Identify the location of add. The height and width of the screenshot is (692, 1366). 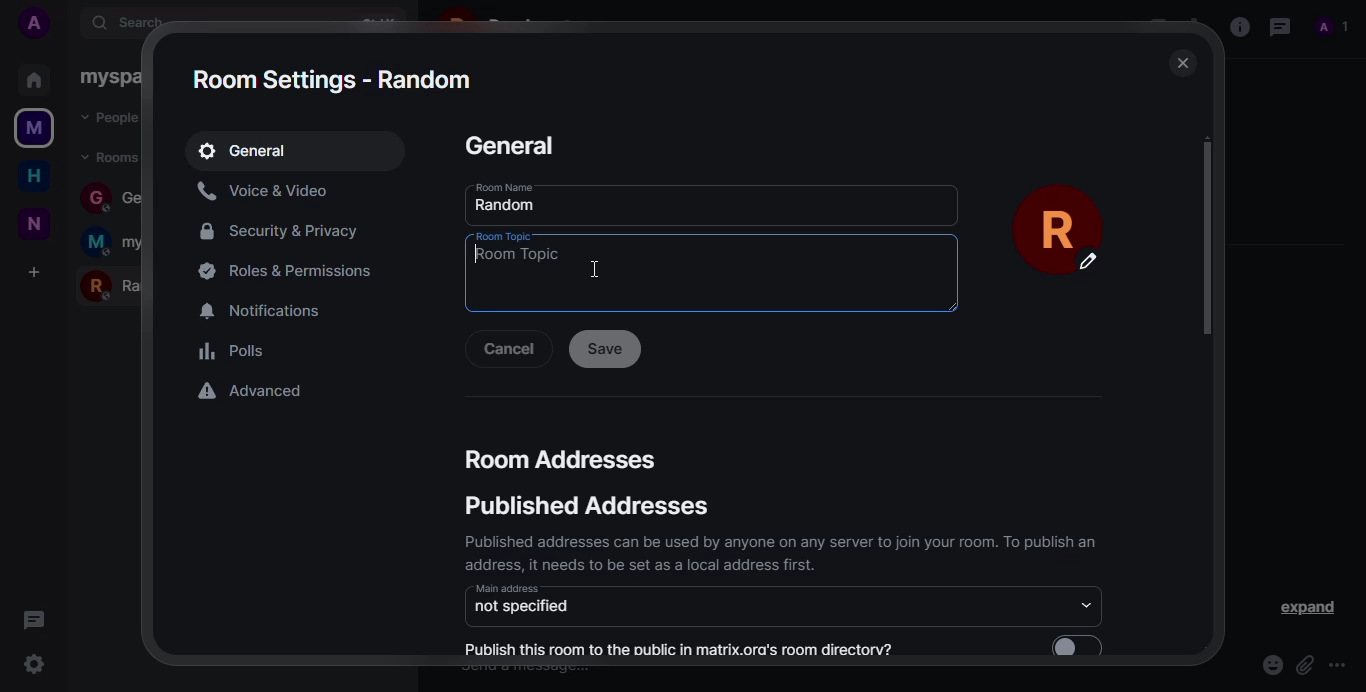
(35, 271).